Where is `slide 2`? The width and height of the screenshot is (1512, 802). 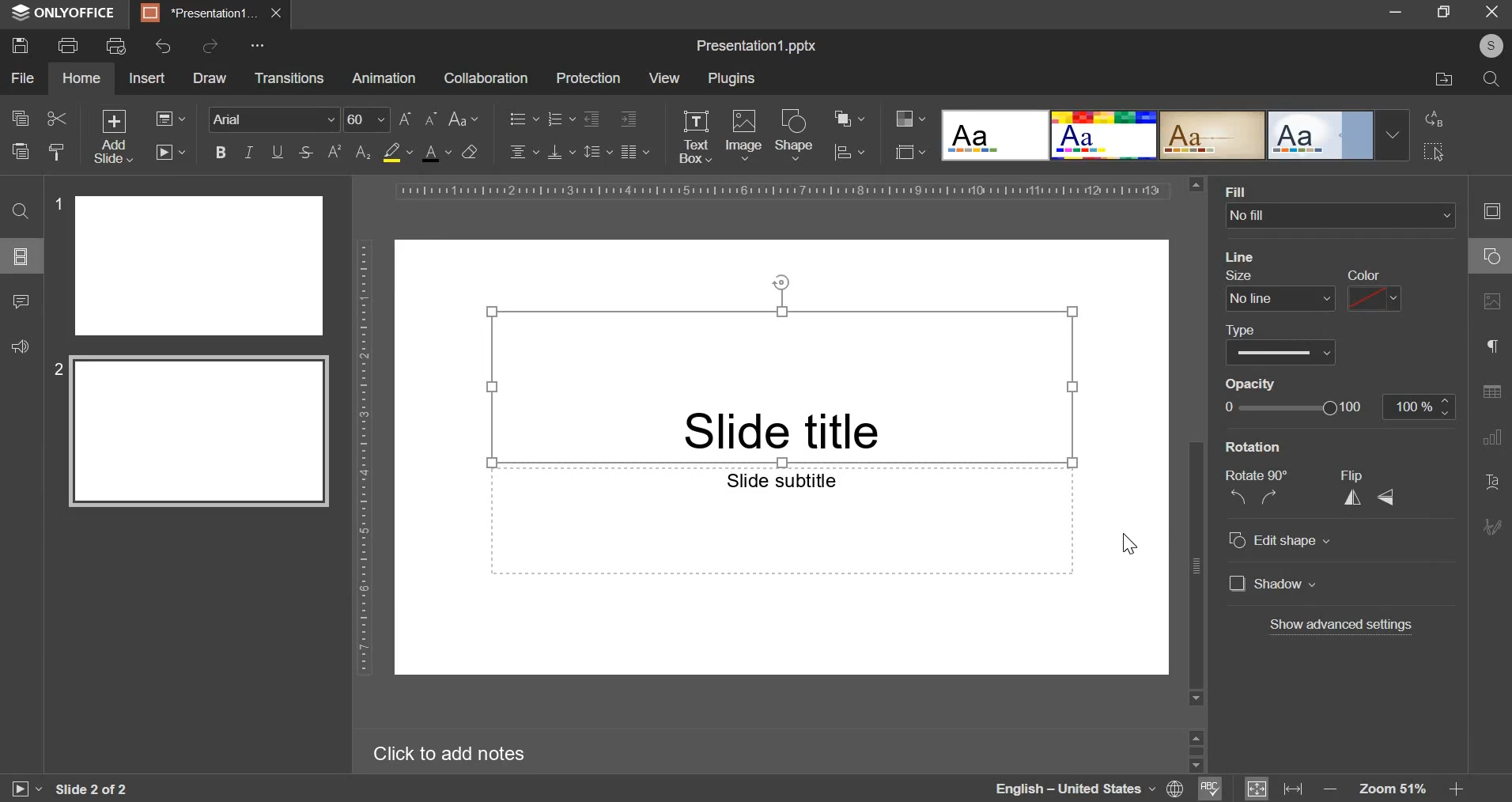
slide 2 is located at coordinates (191, 433).